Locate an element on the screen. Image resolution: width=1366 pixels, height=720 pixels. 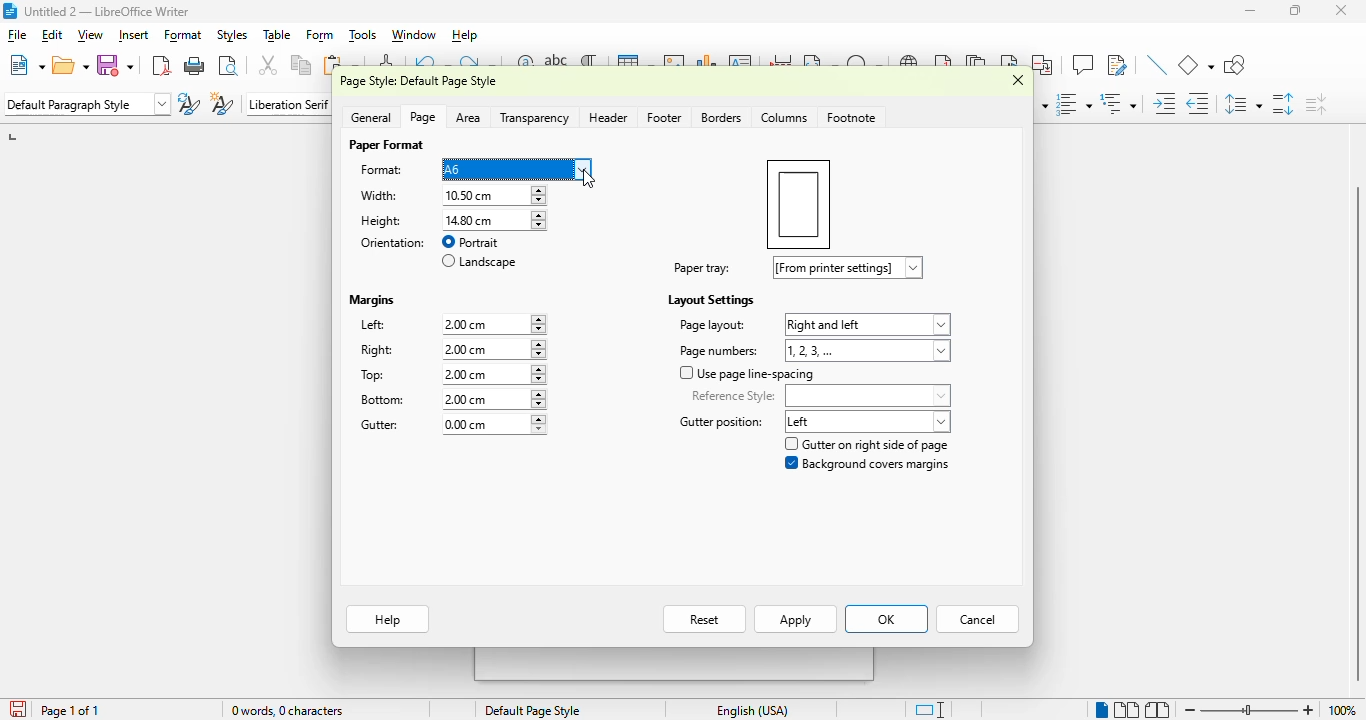
styles is located at coordinates (232, 35).